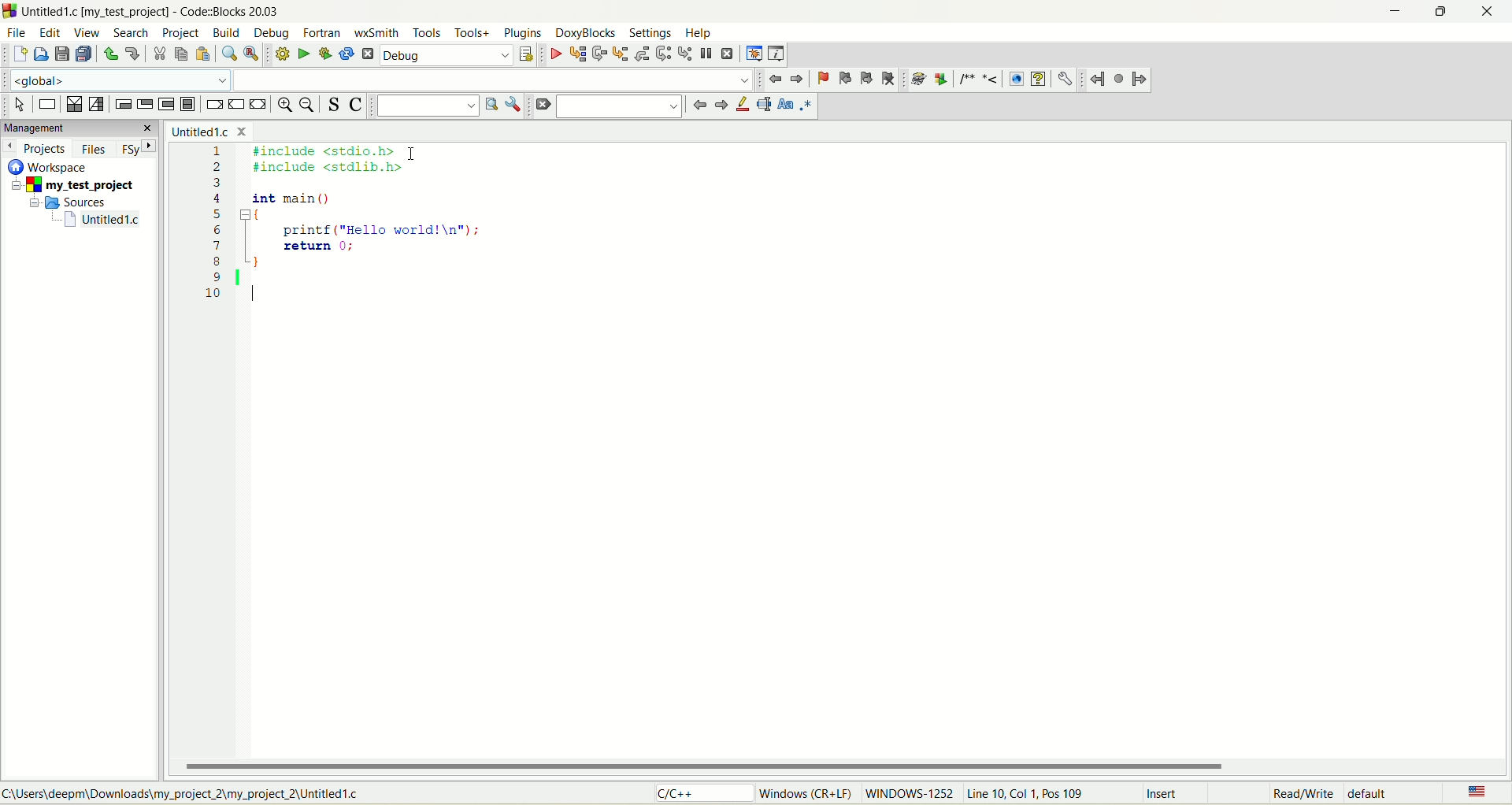  I want to click on Code completion compiler, so click(379, 80).